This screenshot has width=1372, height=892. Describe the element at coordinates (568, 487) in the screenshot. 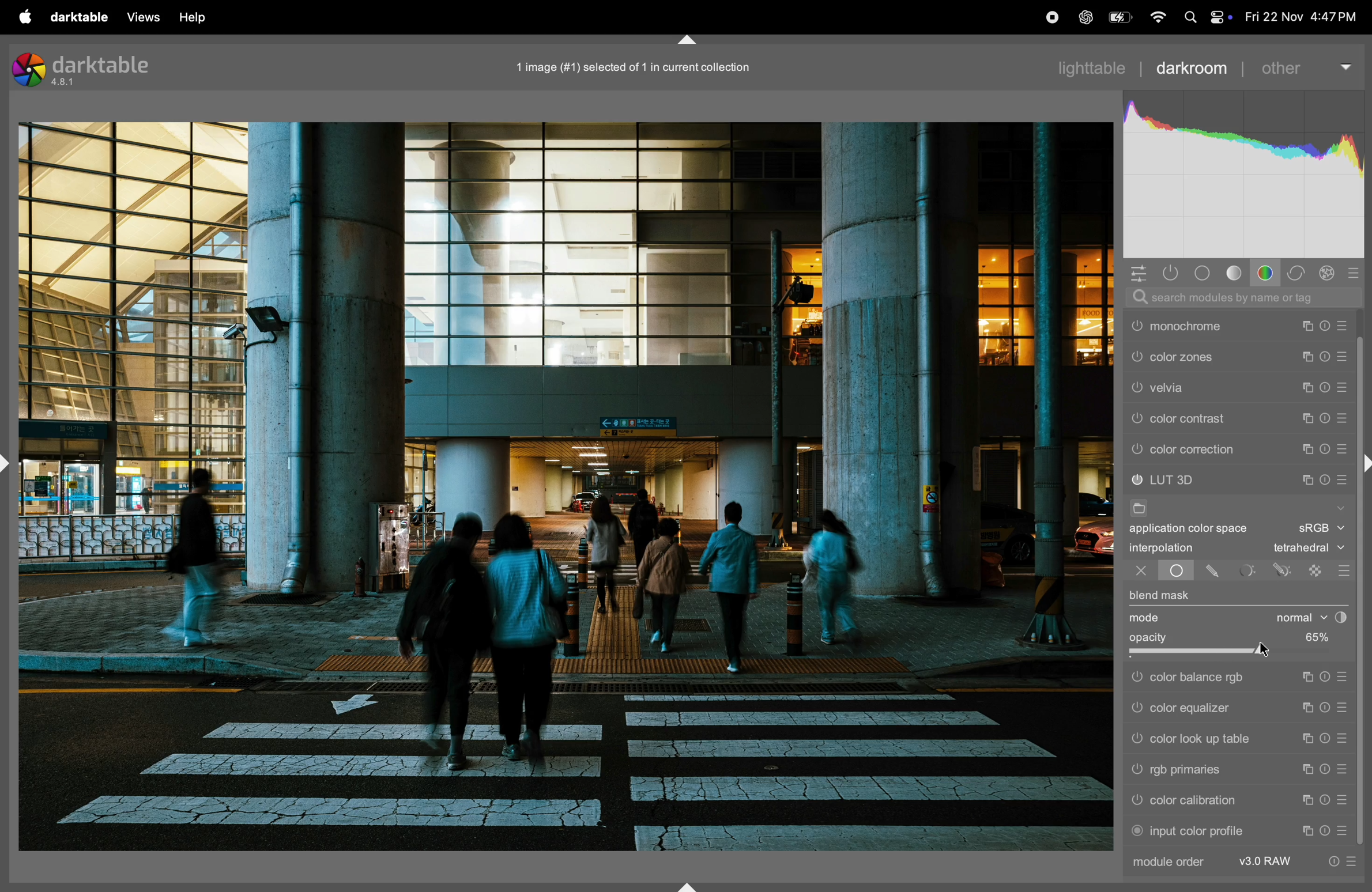

I see `image` at that location.